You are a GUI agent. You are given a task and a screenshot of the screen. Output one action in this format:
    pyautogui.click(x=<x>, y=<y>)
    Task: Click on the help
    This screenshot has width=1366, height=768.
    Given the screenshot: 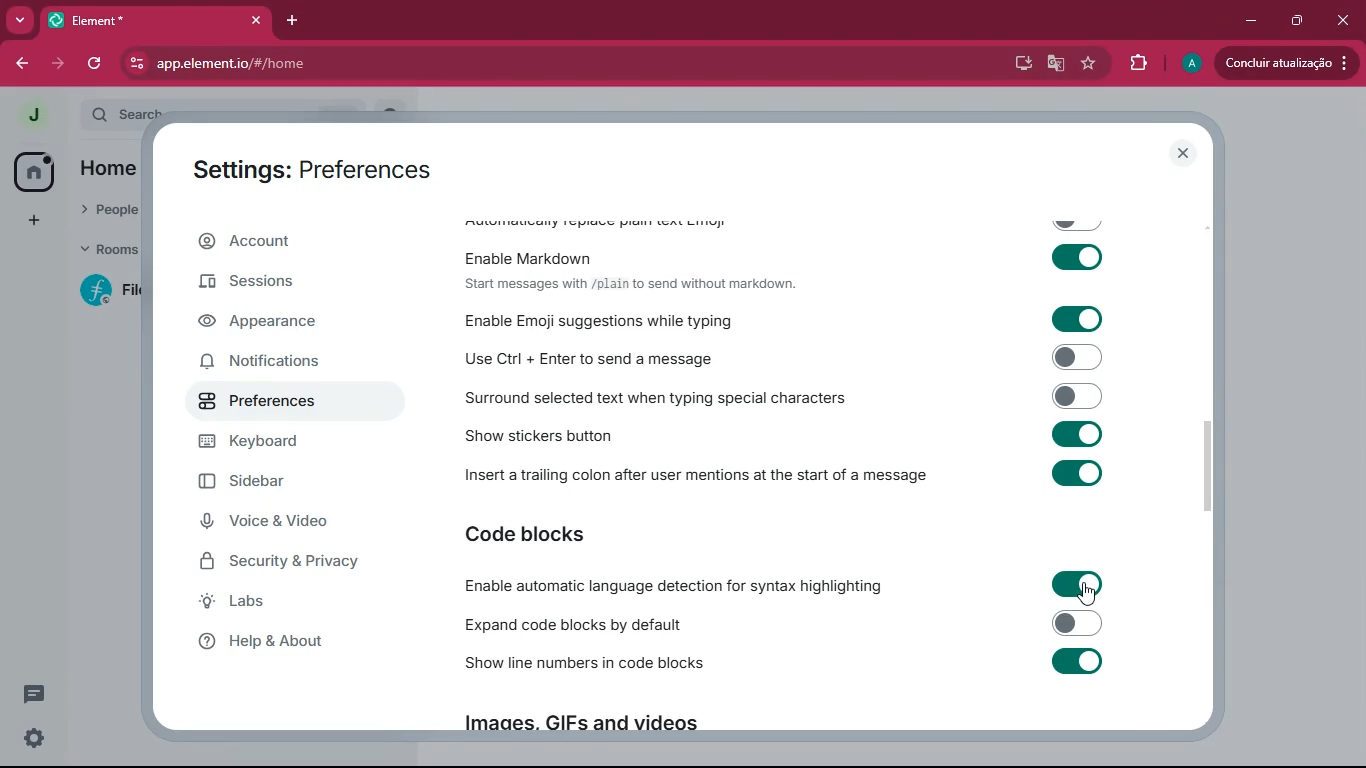 What is the action you would take?
    pyautogui.click(x=283, y=645)
    